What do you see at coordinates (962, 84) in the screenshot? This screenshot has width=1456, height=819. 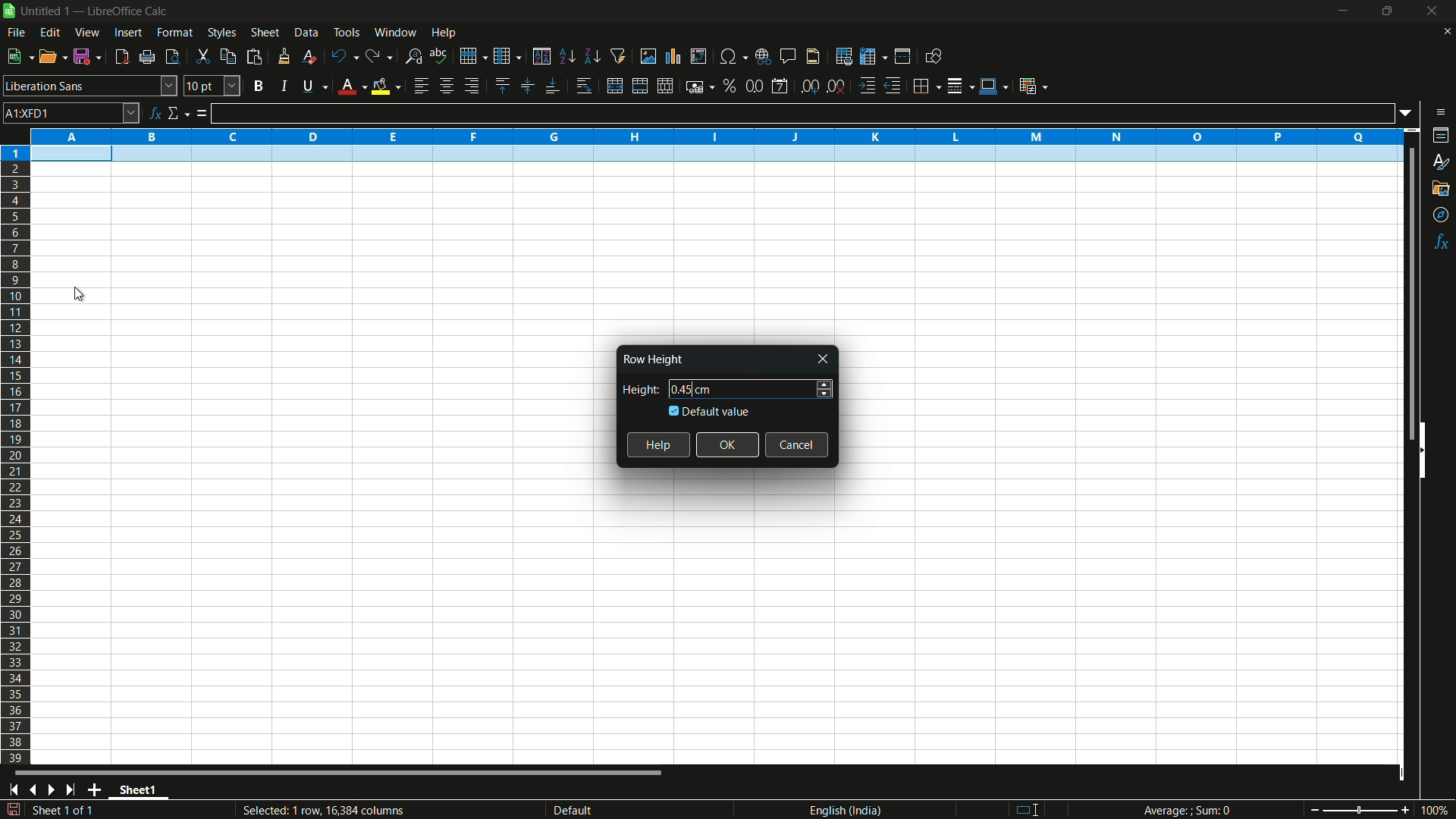 I see `border style` at bounding box center [962, 84].